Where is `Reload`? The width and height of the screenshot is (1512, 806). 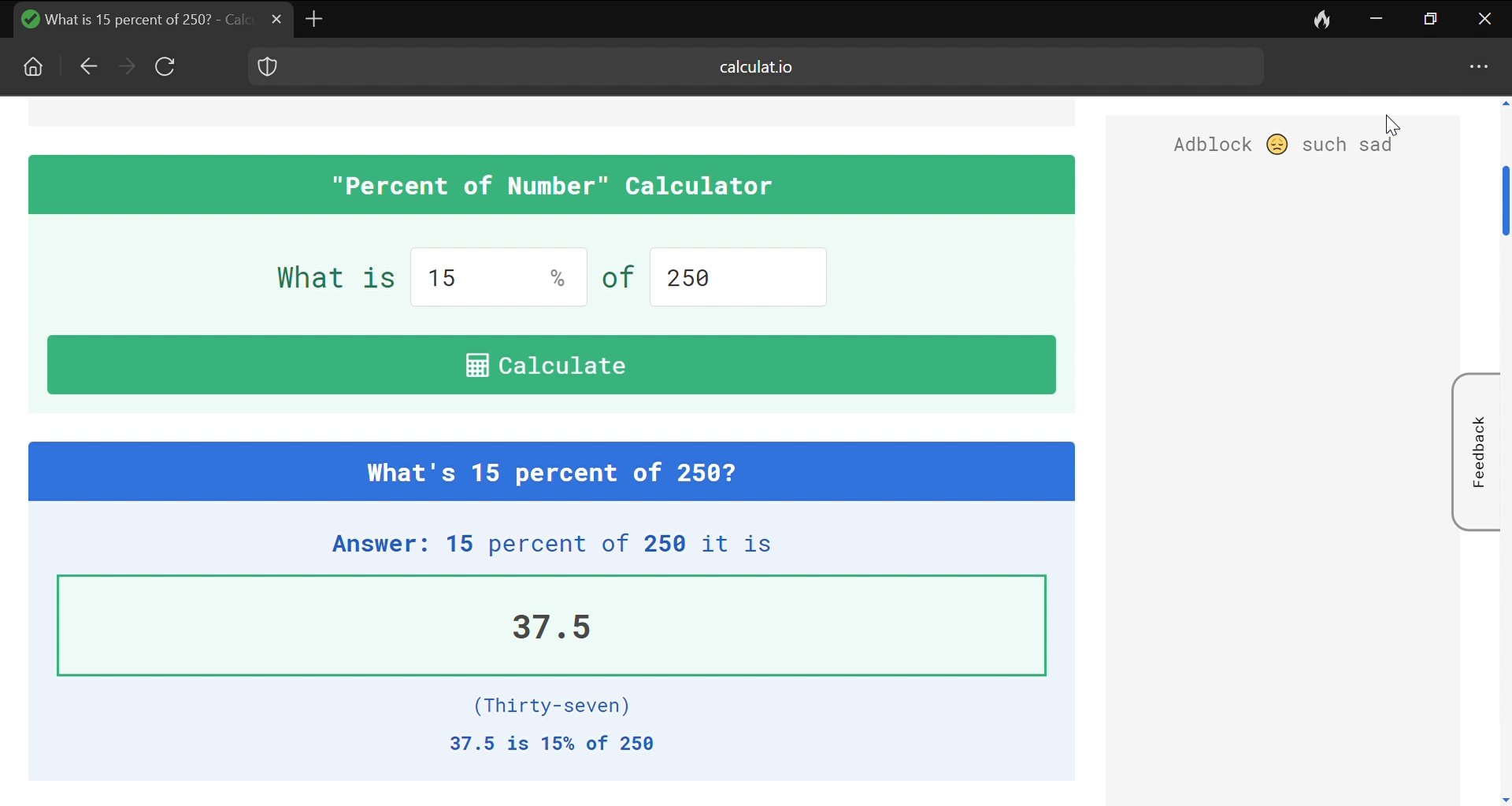
Reload is located at coordinates (166, 65).